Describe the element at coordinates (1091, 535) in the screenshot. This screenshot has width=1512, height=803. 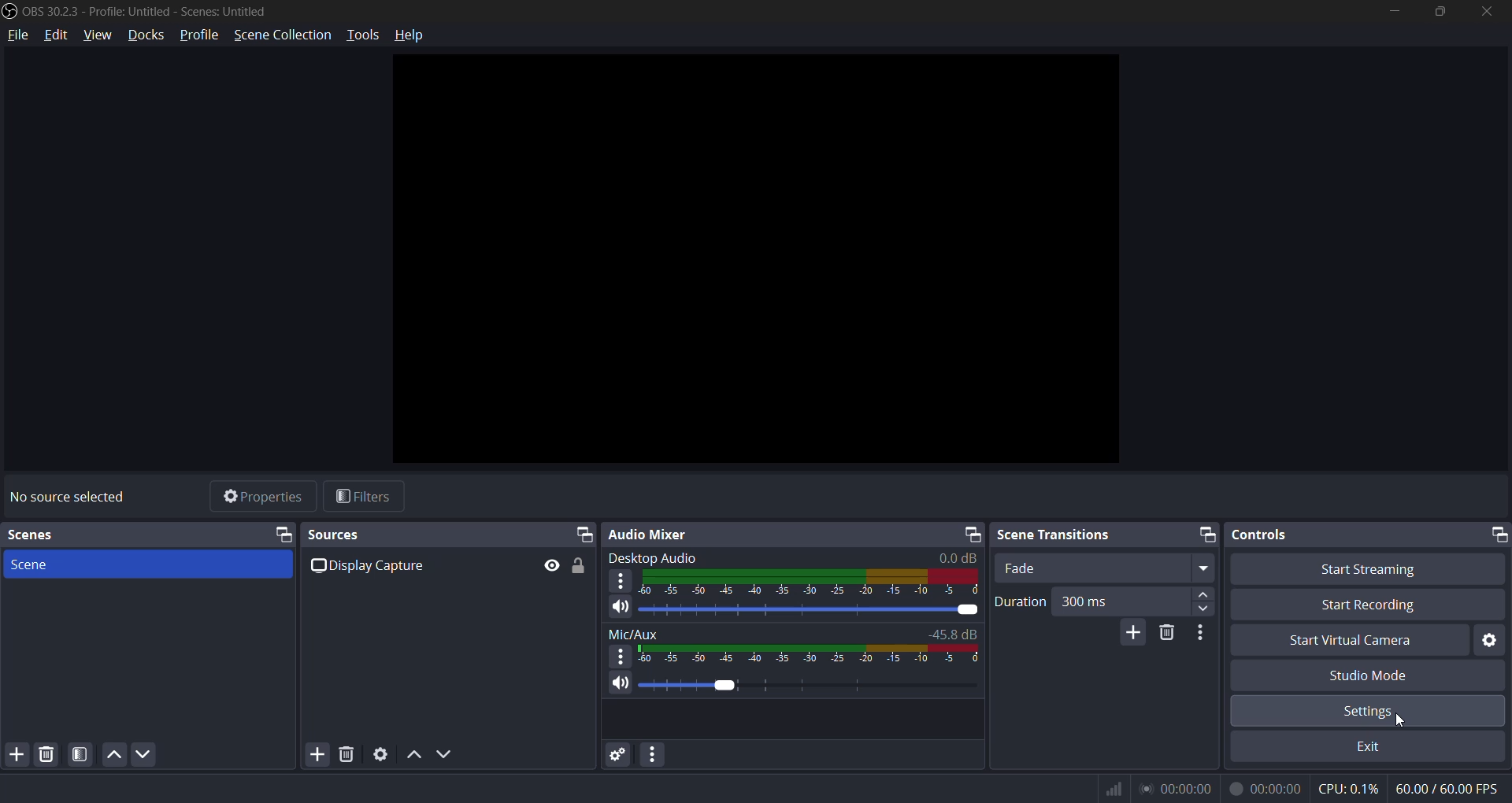
I see `scene transitions` at that location.